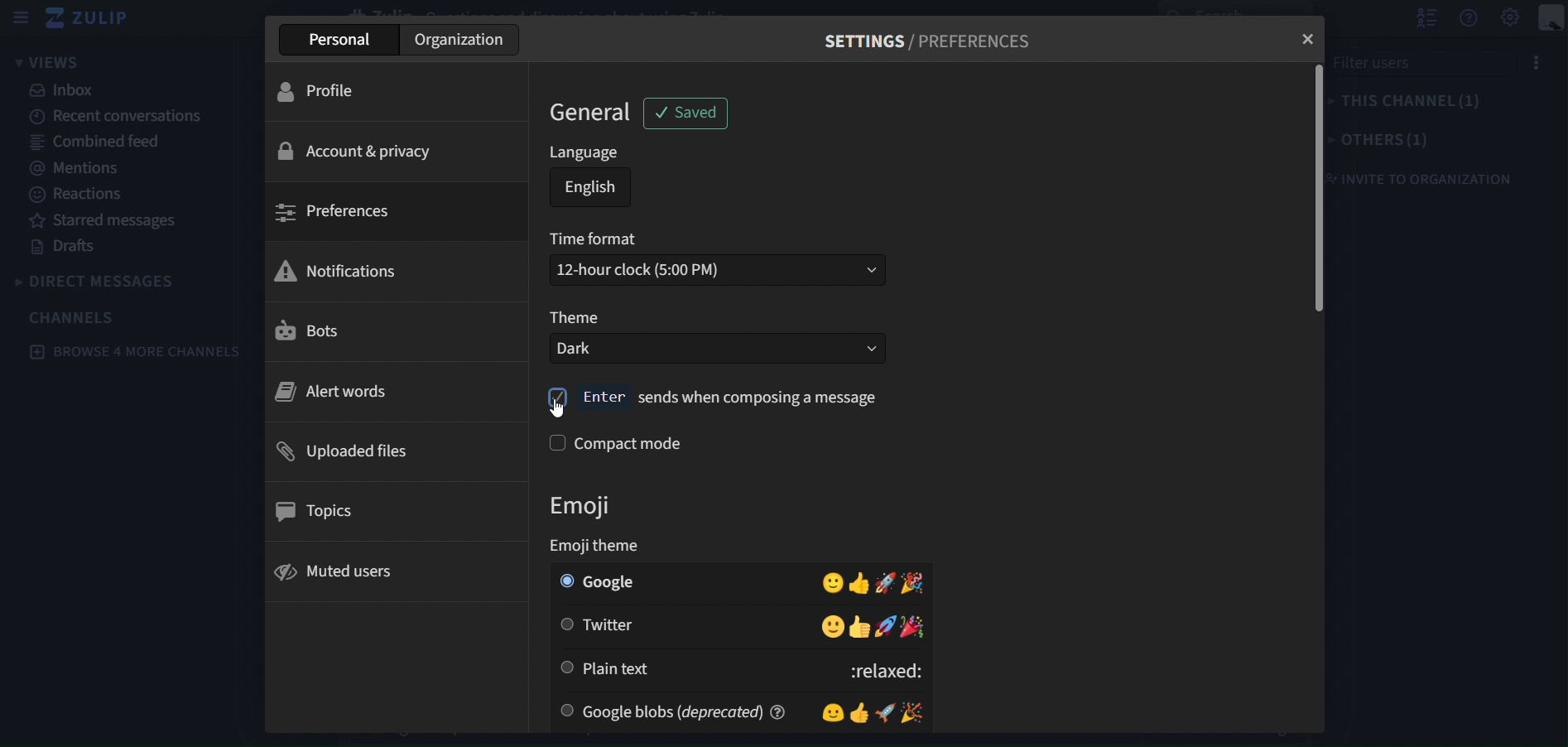 This screenshot has width=1568, height=747. Describe the element at coordinates (1382, 139) in the screenshot. I see `others(1)` at that location.